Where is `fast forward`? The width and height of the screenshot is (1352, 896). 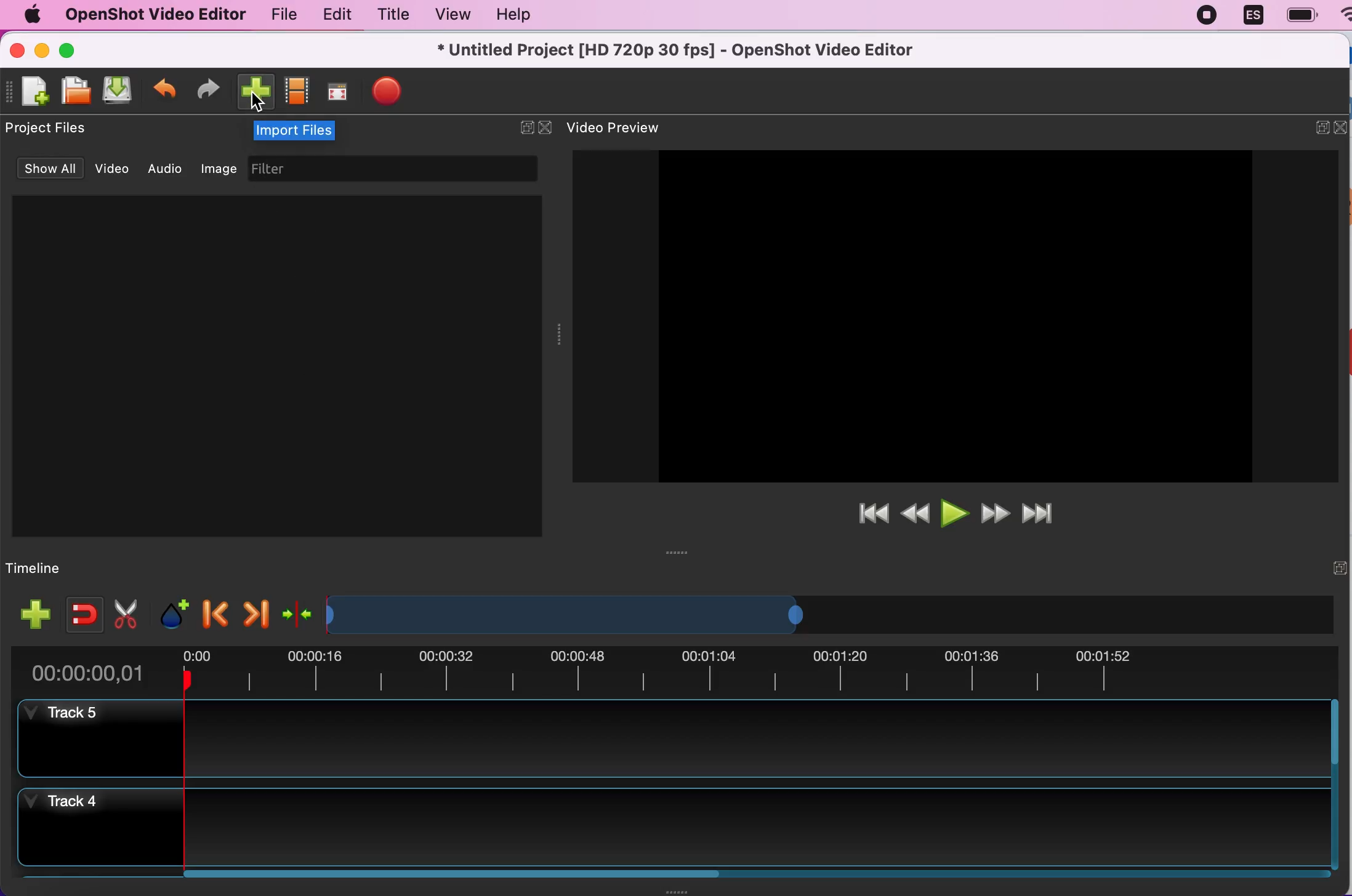 fast forward is located at coordinates (996, 514).